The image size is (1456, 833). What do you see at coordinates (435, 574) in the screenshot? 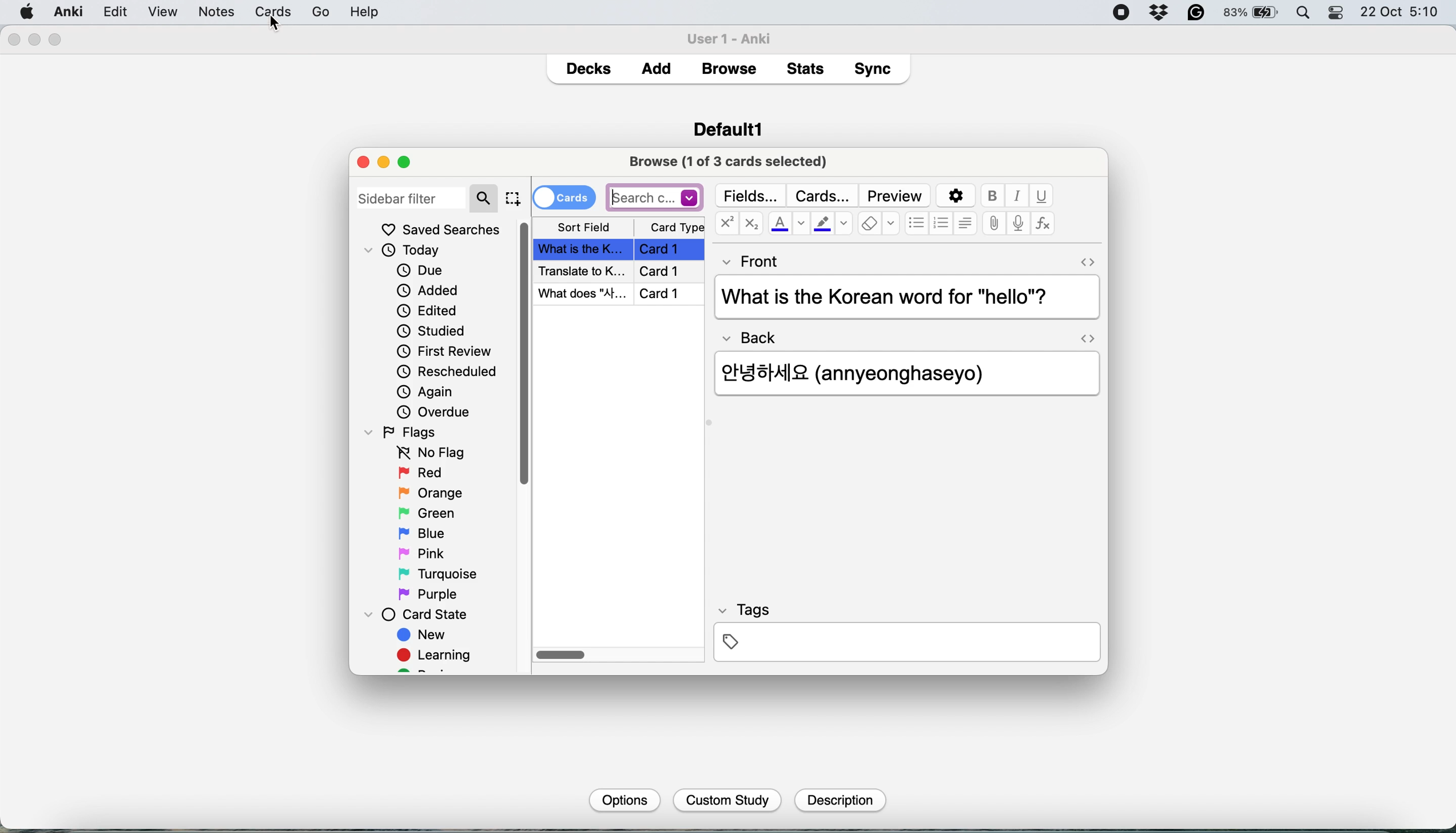
I see `turquiose` at bounding box center [435, 574].